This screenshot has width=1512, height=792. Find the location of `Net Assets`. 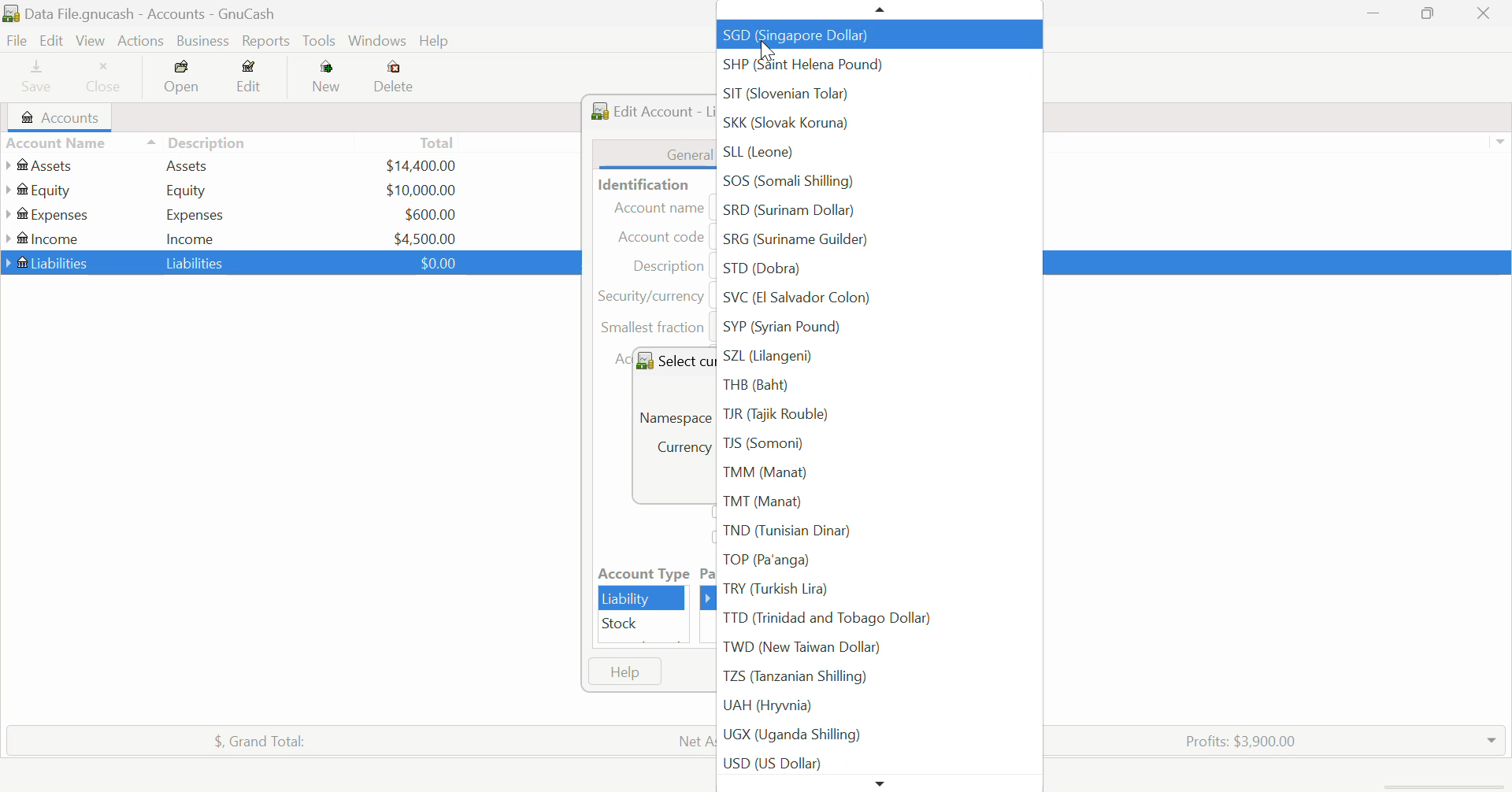

Net Assets is located at coordinates (694, 741).